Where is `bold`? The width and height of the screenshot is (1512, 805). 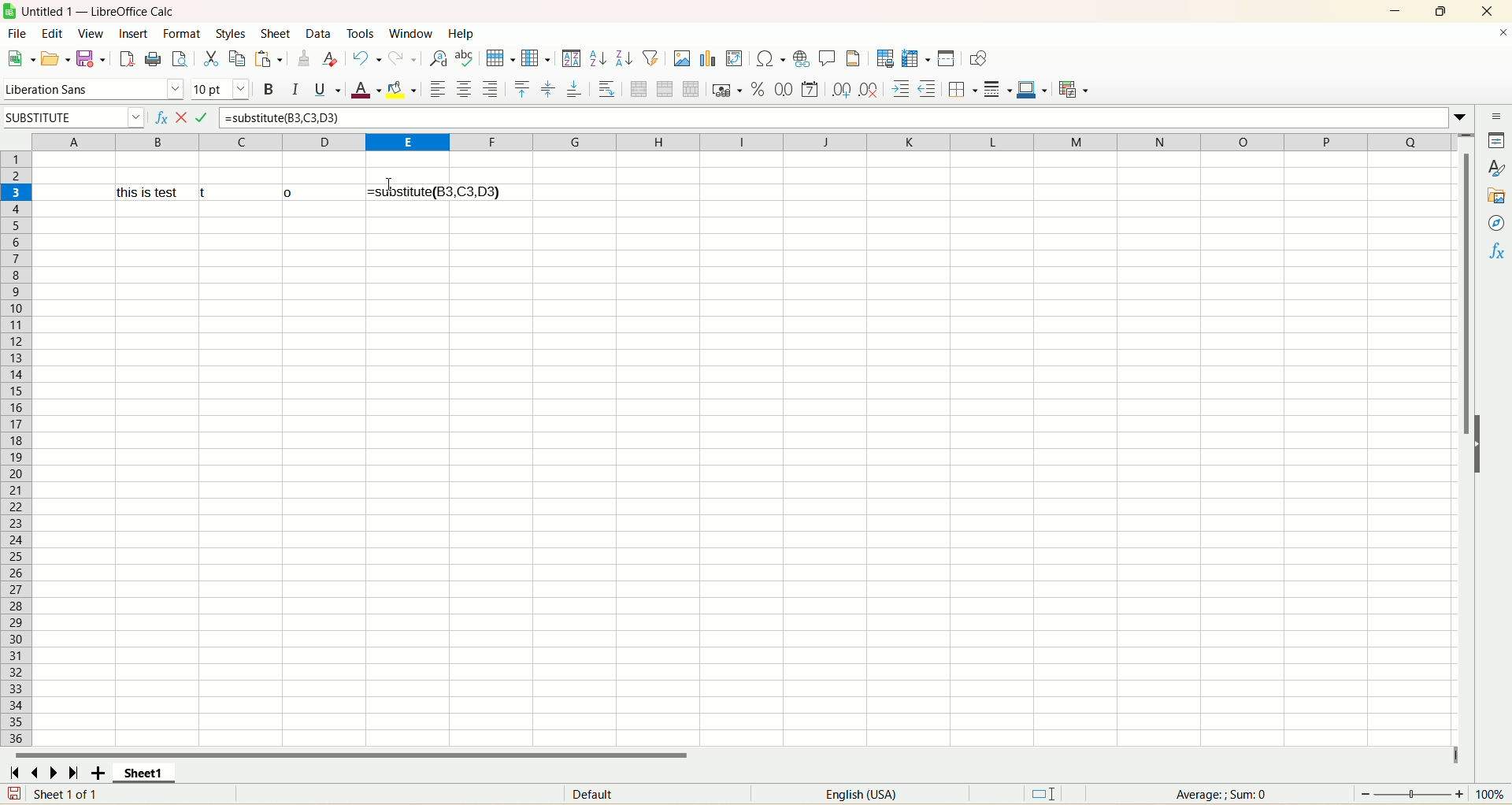
bold is located at coordinates (272, 90).